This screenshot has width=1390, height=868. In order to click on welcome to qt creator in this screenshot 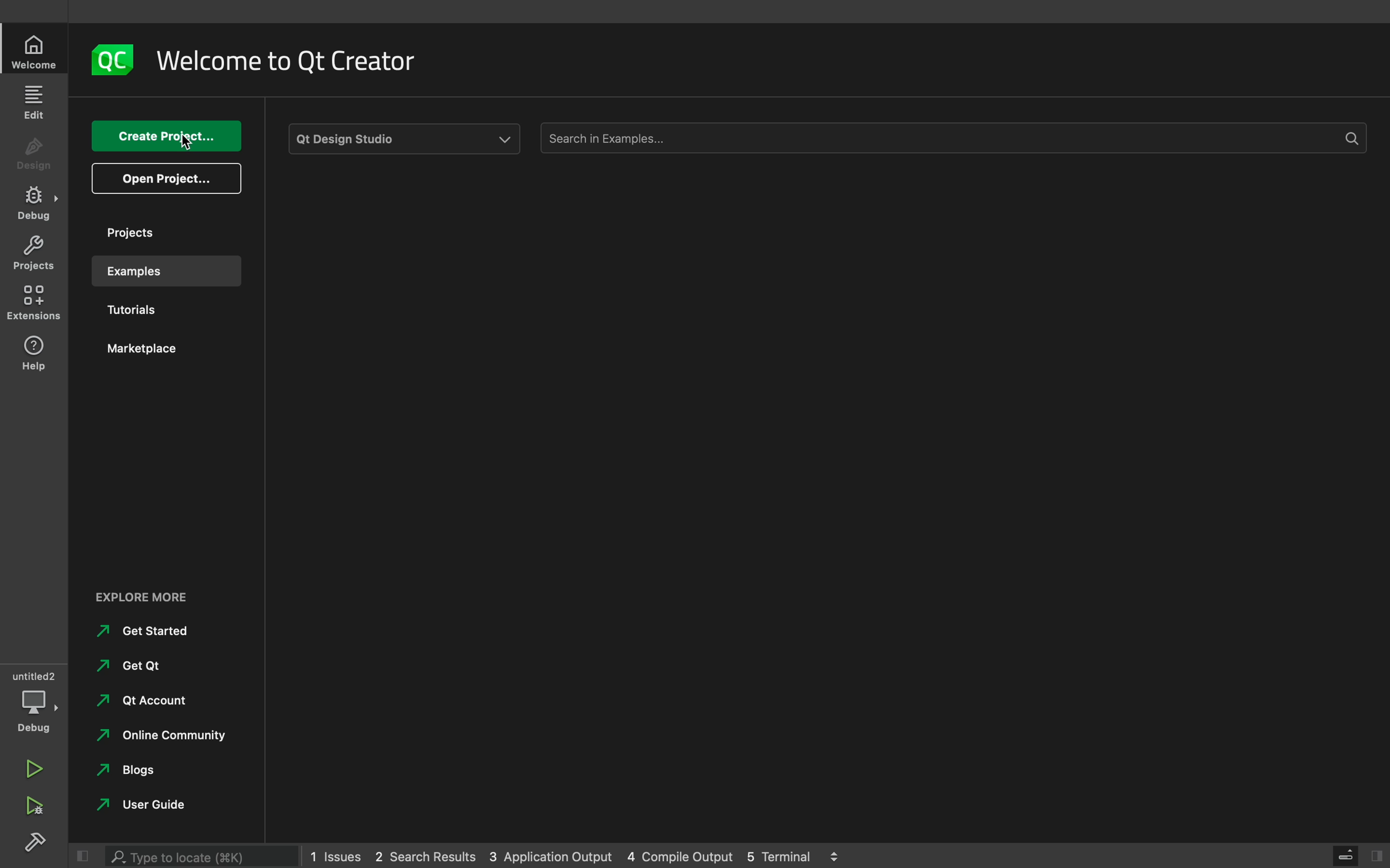, I will do `click(296, 61)`.